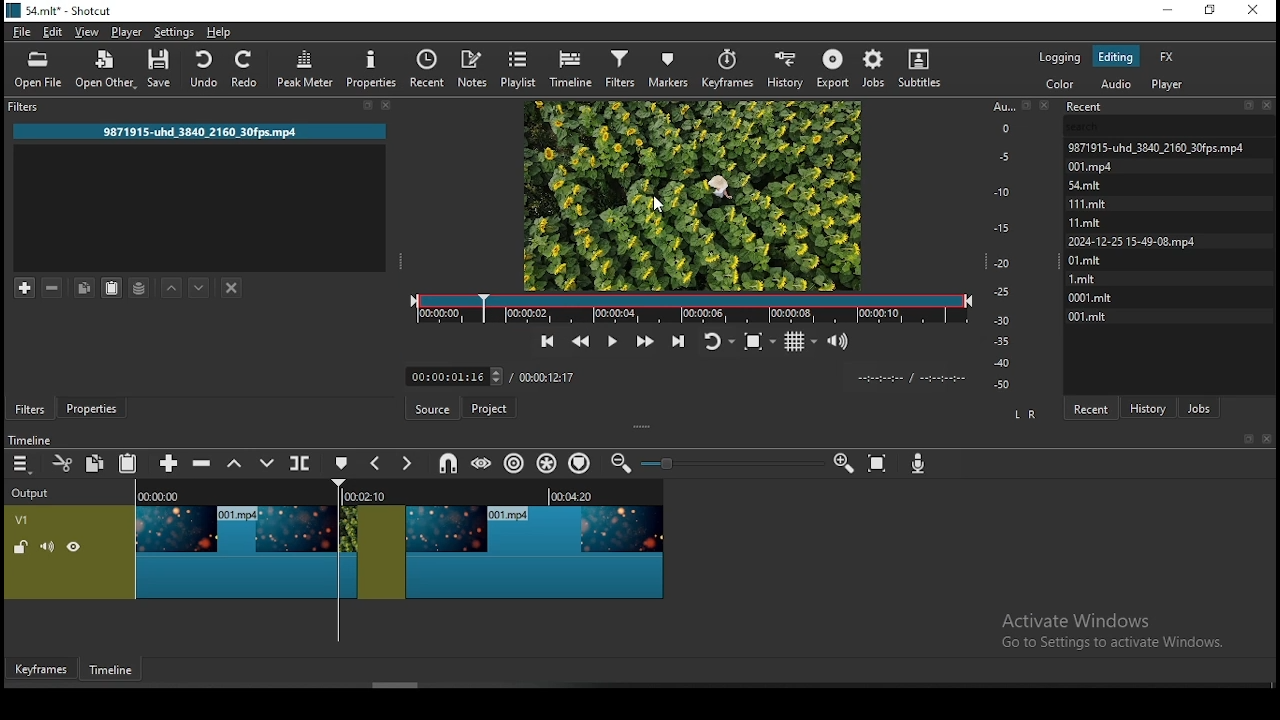 This screenshot has height=720, width=1280. Describe the element at coordinates (730, 463) in the screenshot. I see `zoom in or zoom out button` at that location.